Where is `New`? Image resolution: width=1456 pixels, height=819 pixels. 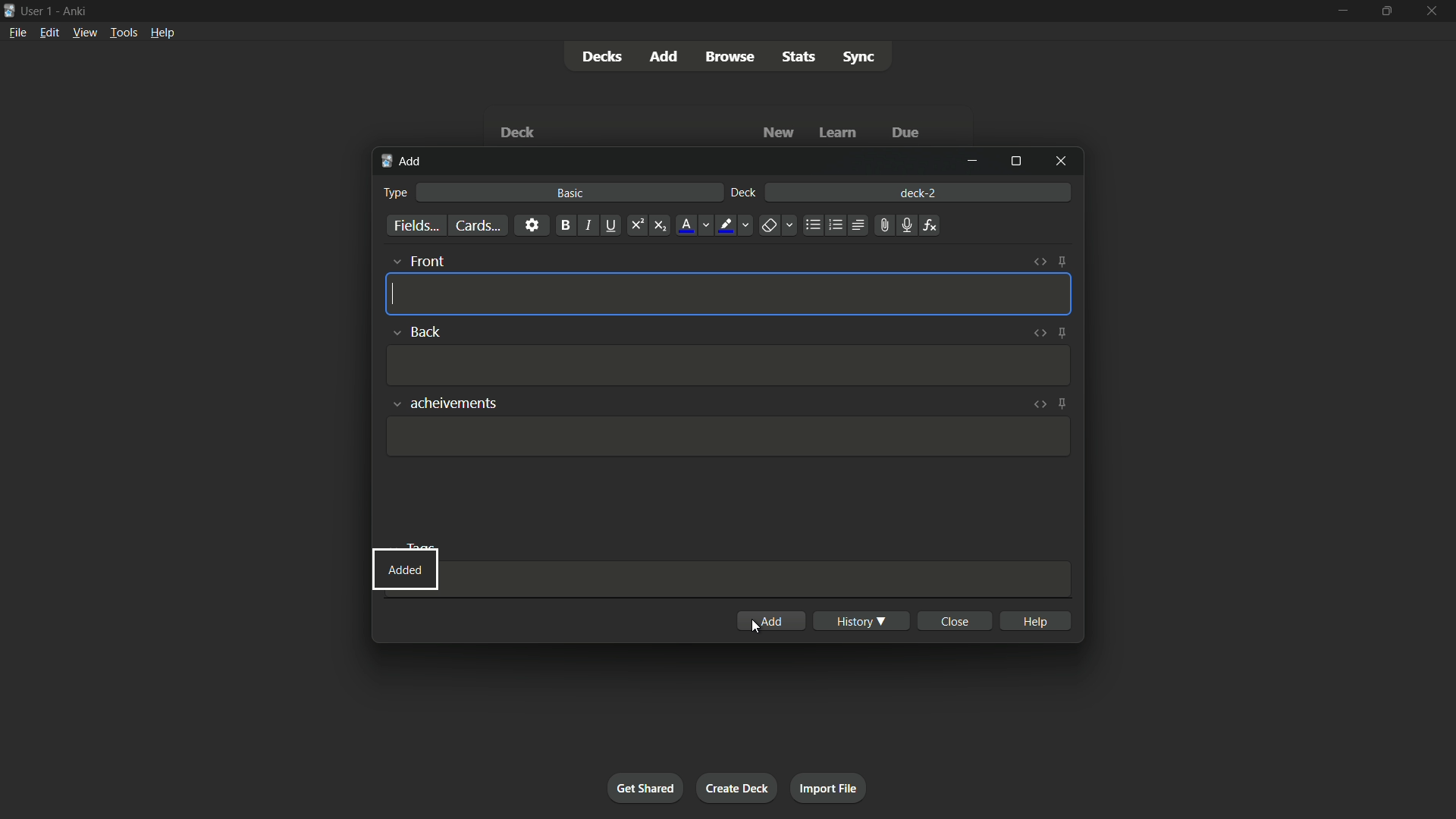
New is located at coordinates (777, 133).